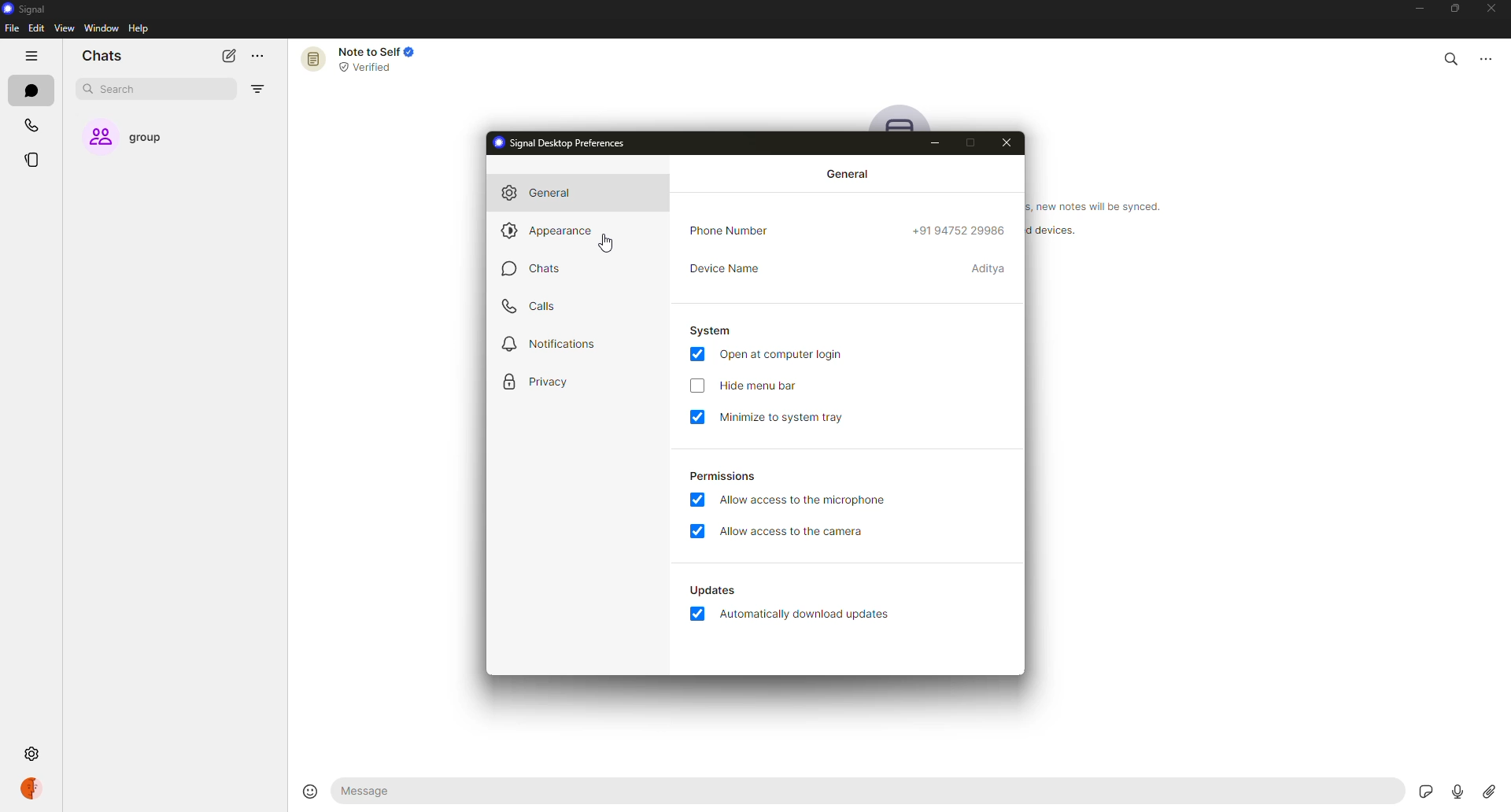 This screenshot has height=812, width=1511. Describe the element at coordinates (1451, 9) in the screenshot. I see `maximize` at that location.